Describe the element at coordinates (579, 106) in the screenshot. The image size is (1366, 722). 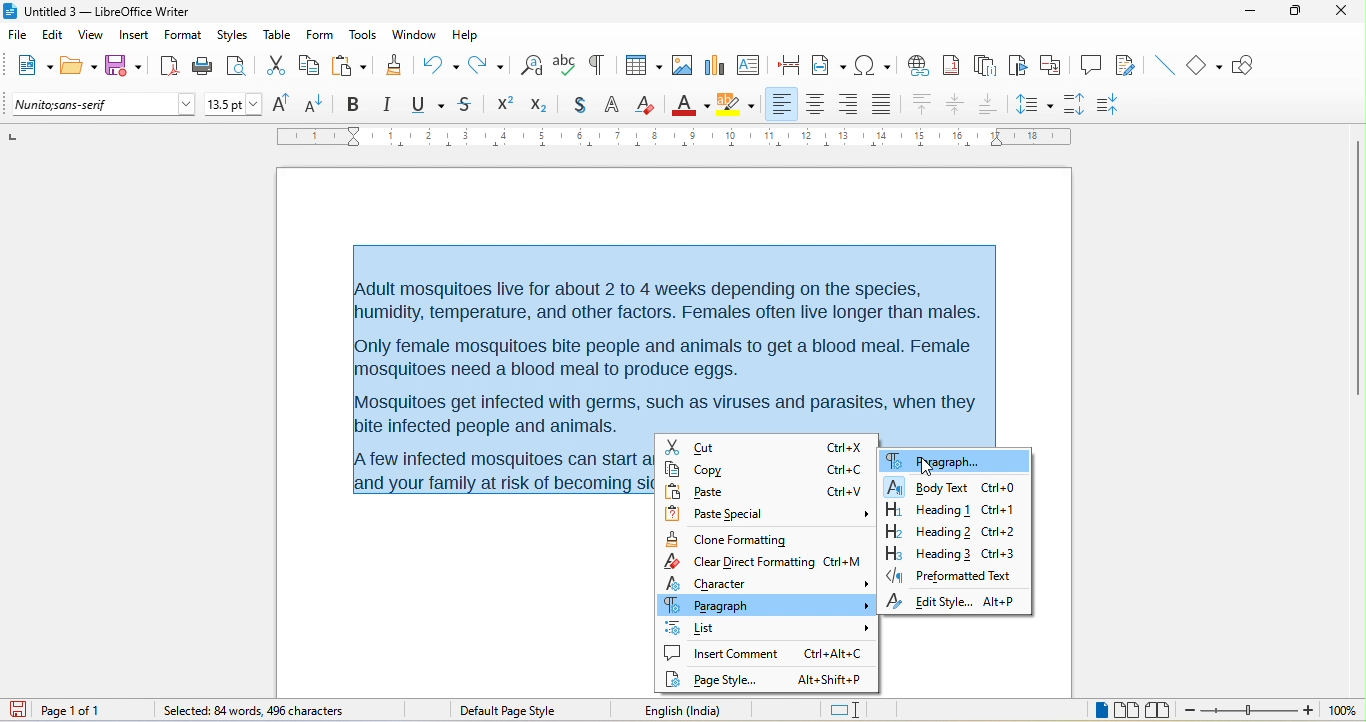
I see `shadow` at that location.